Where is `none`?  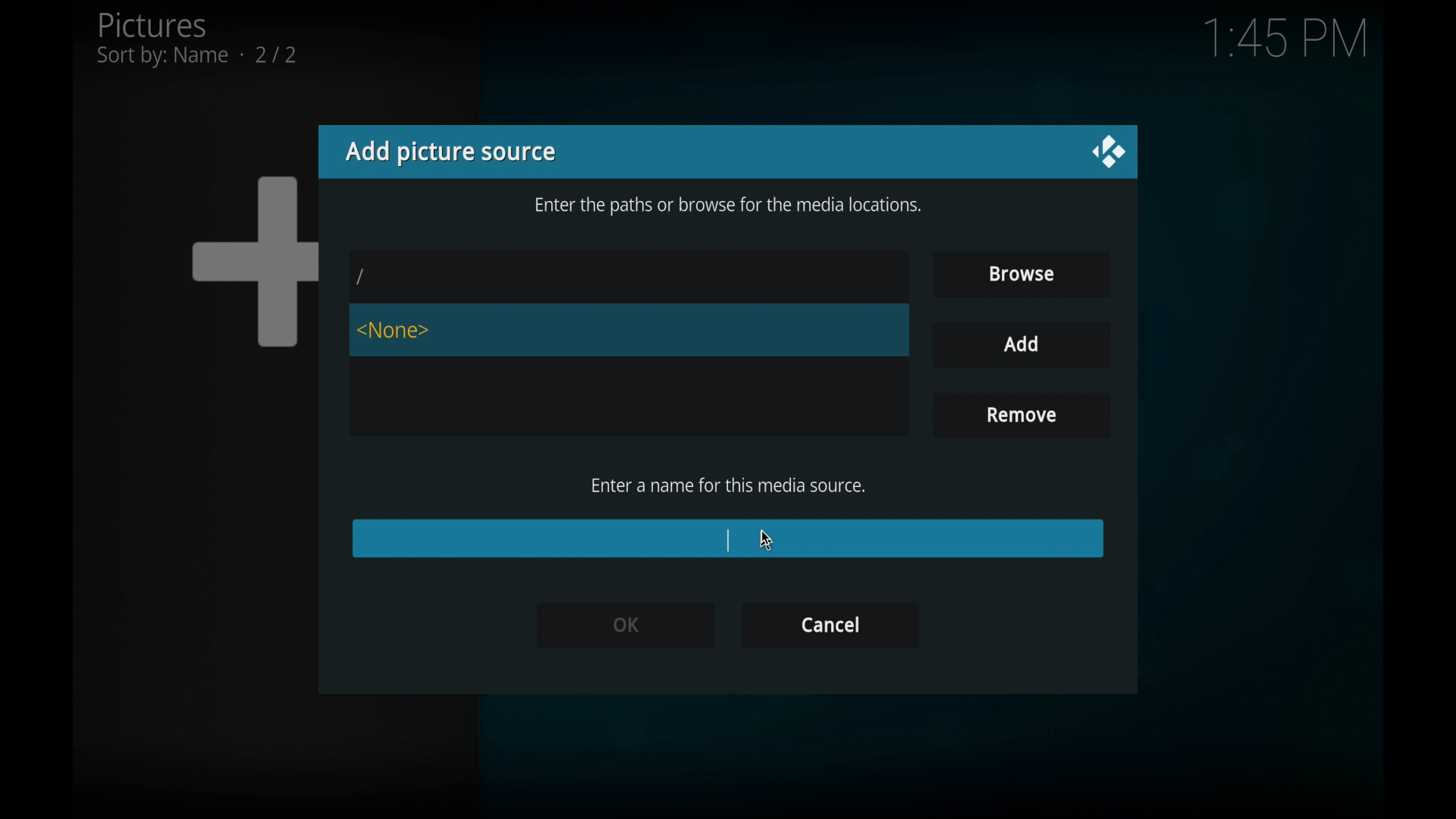
none is located at coordinates (394, 330).